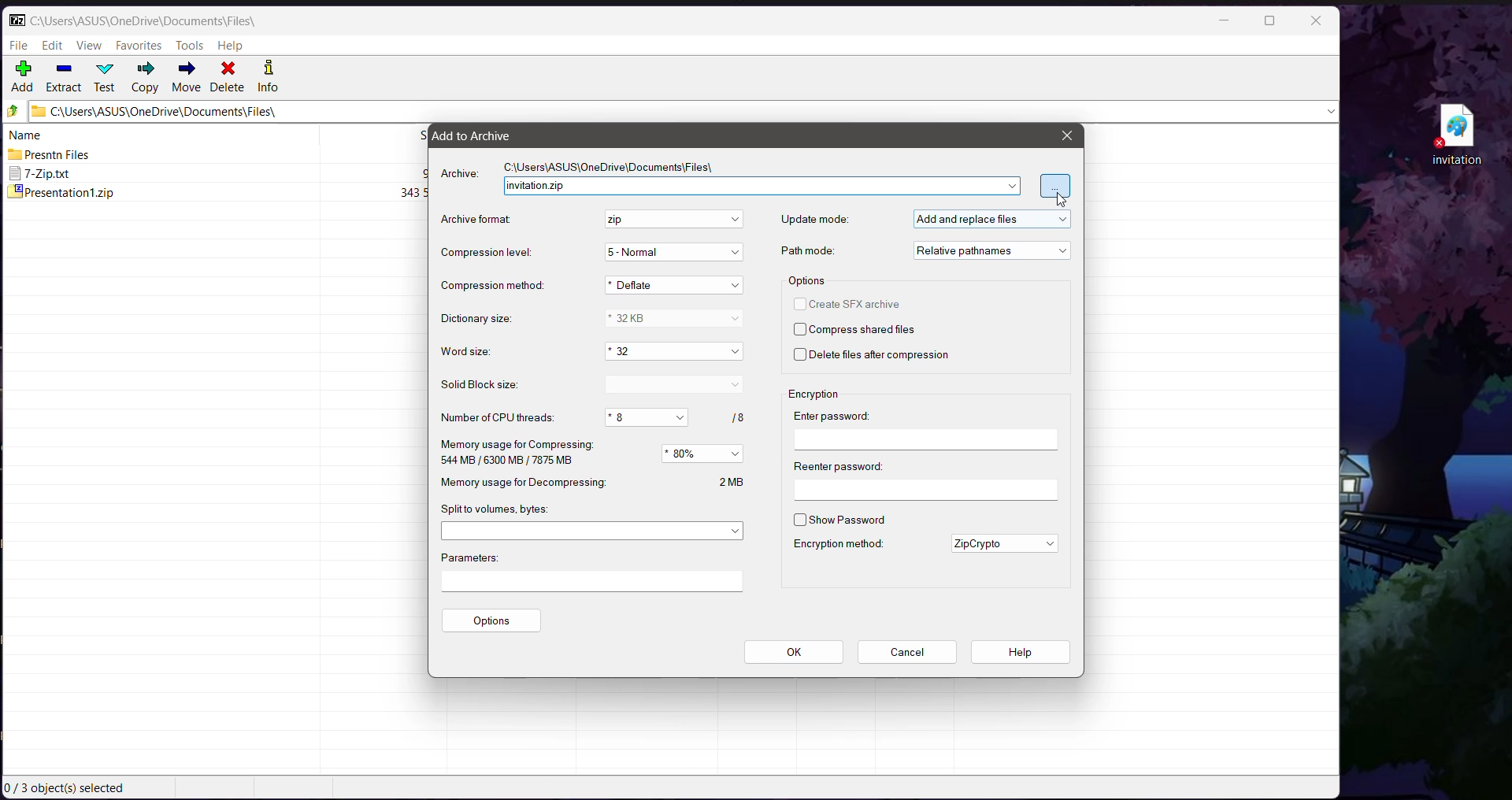  What do you see at coordinates (70, 788) in the screenshot?
I see `Current Selection` at bounding box center [70, 788].